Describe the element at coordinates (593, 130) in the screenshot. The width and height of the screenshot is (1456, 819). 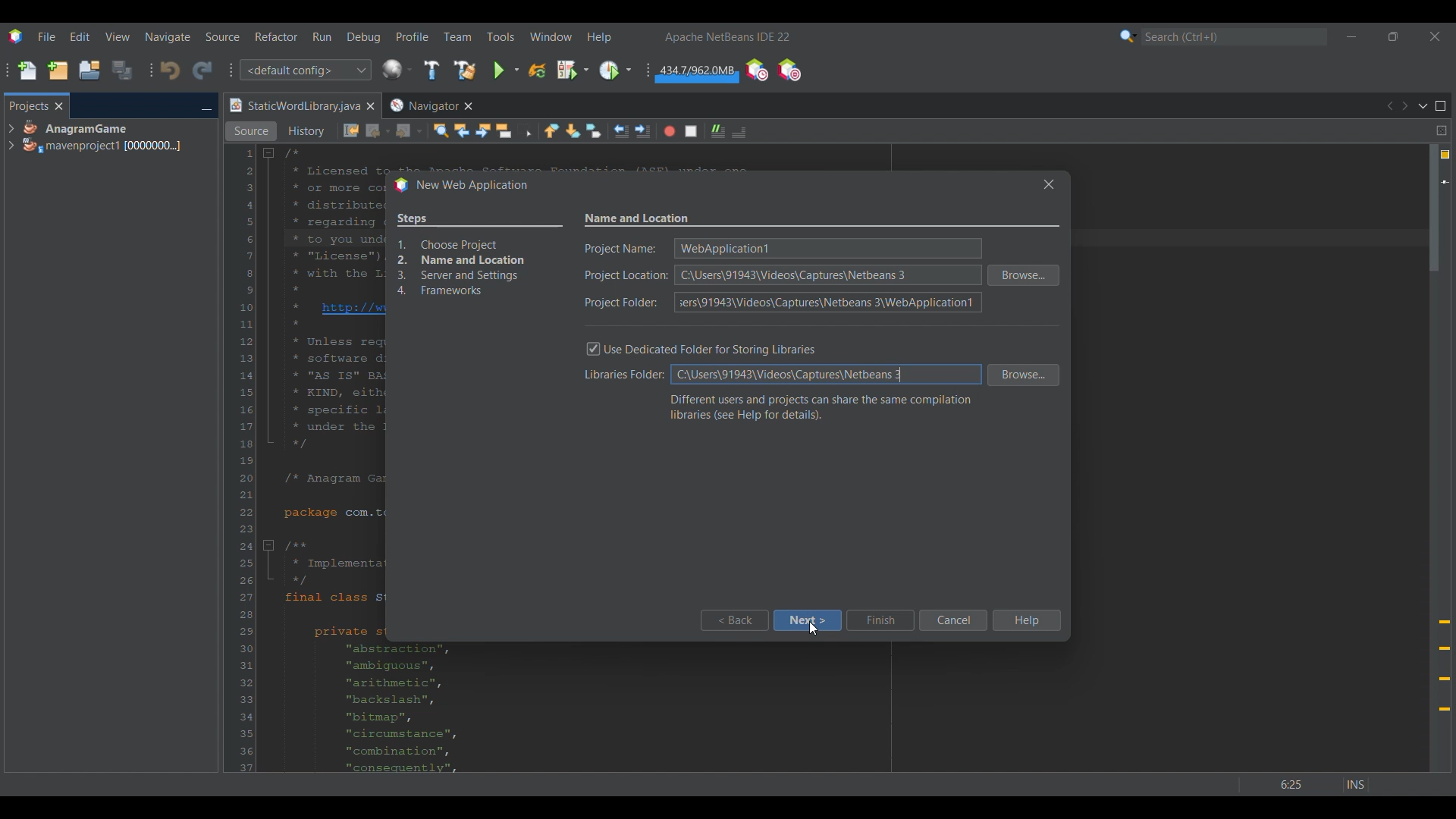
I see `Toggle bookmarks` at that location.